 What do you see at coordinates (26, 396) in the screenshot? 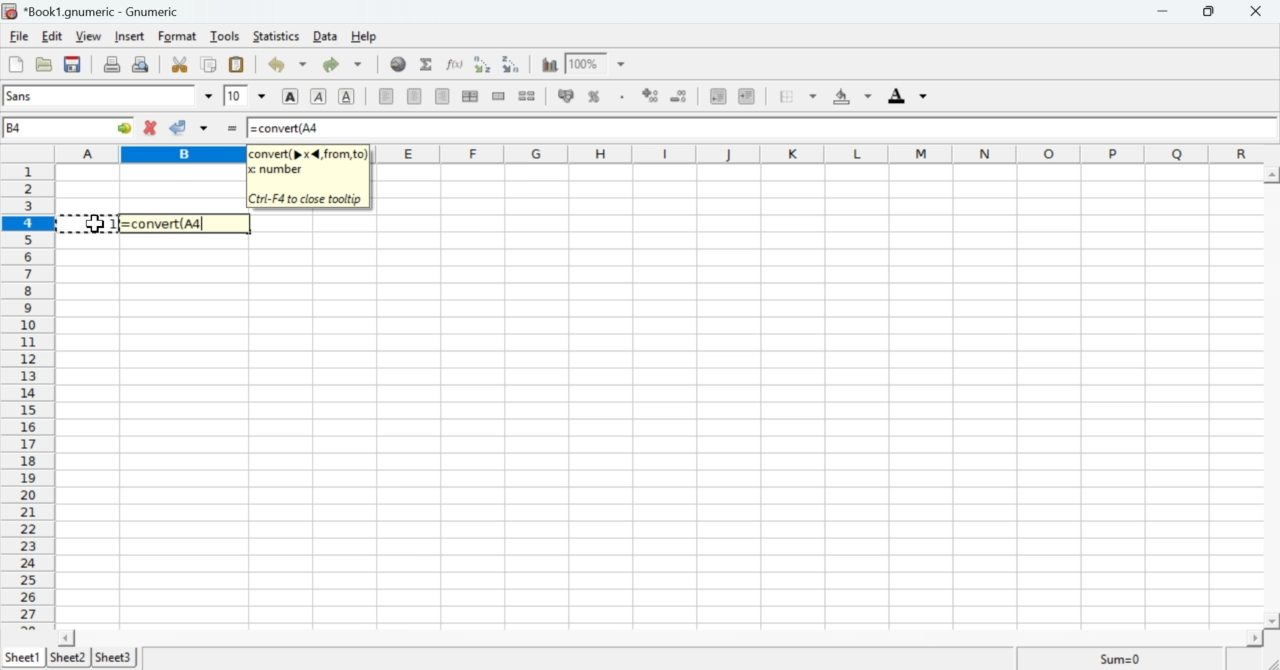
I see `numbering column` at bounding box center [26, 396].